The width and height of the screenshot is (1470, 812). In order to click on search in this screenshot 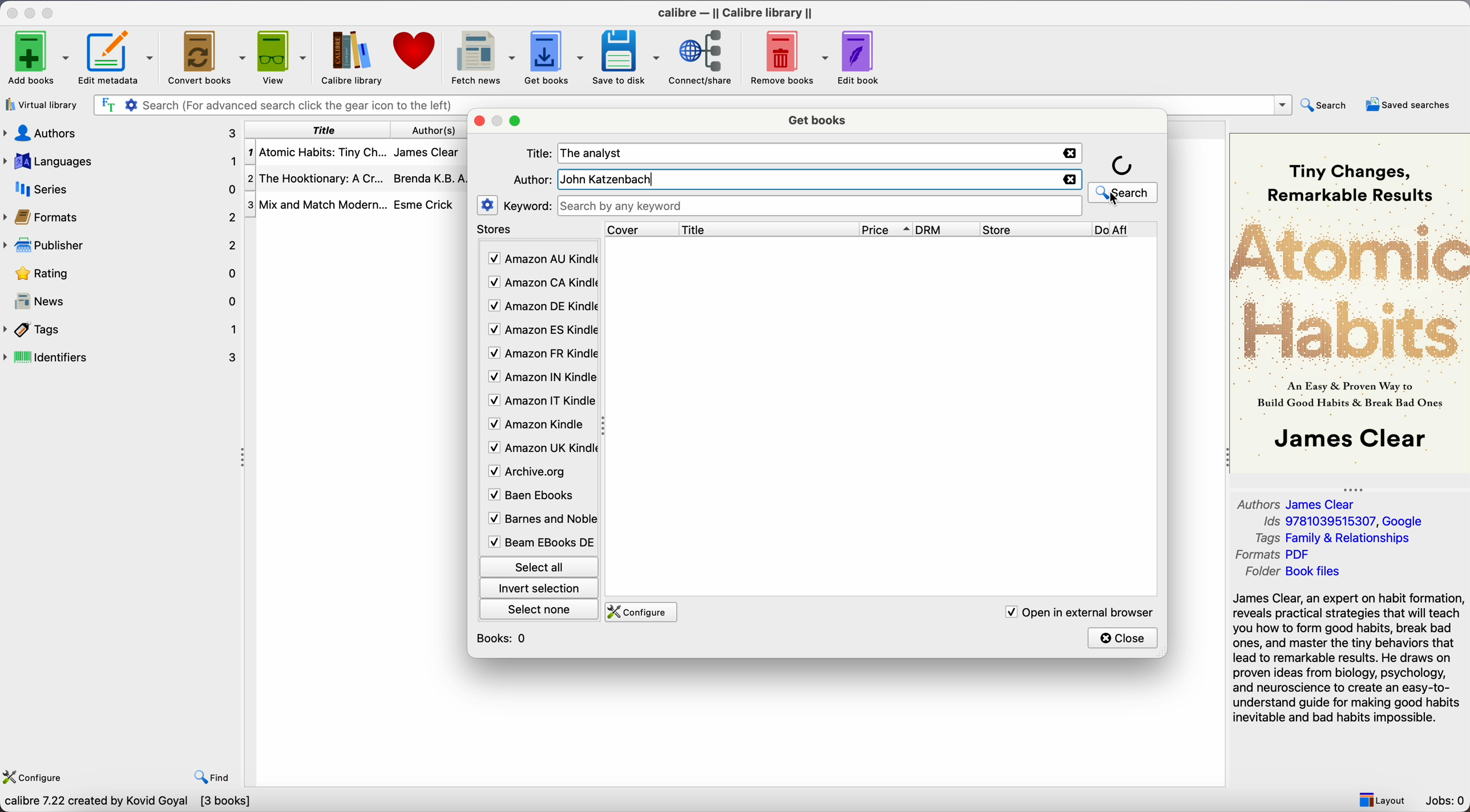, I will do `click(1122, 192)`.